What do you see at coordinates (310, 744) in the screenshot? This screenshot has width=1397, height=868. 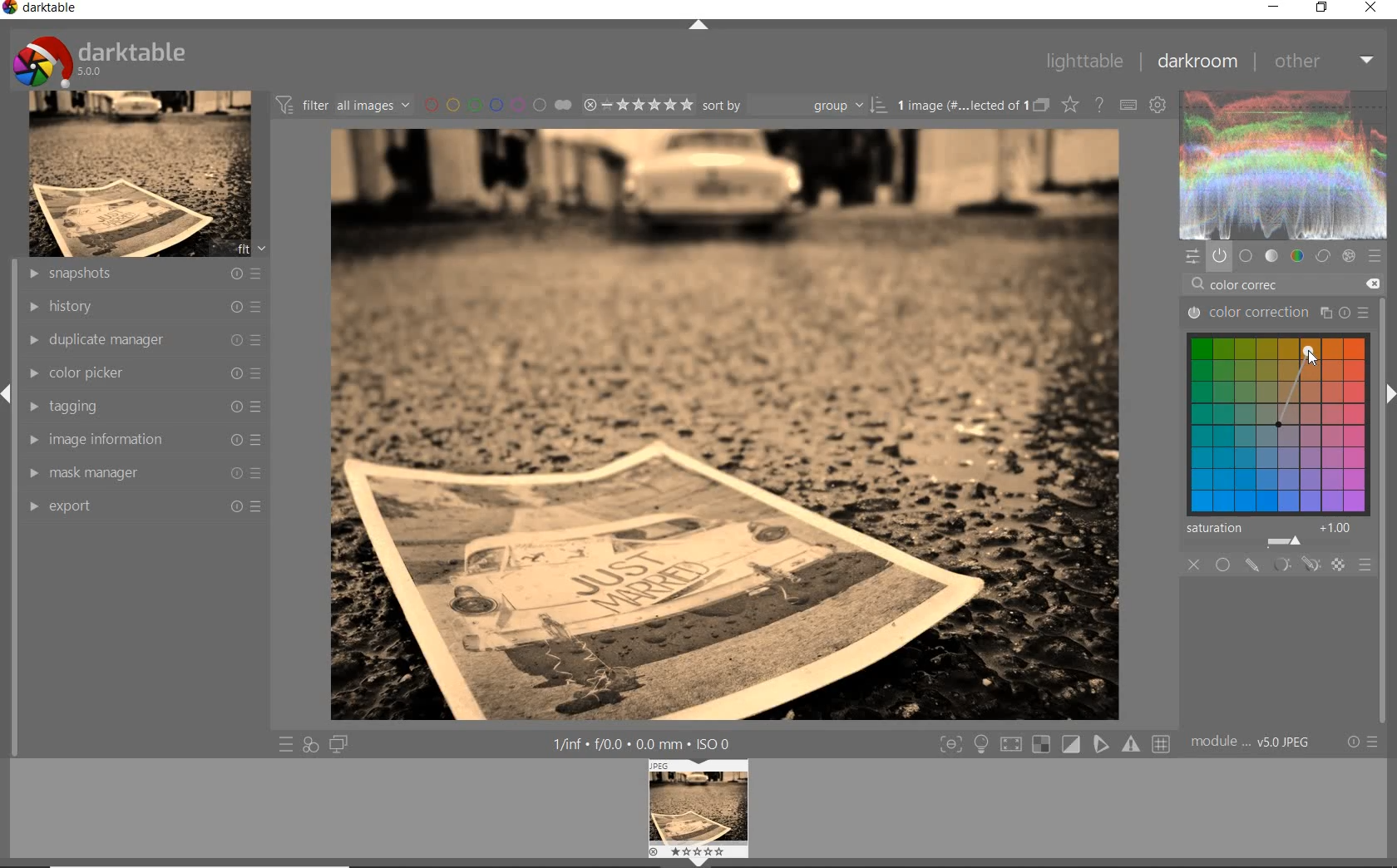 I see `quick access for applying any of style` at bounding box center [310, 744].